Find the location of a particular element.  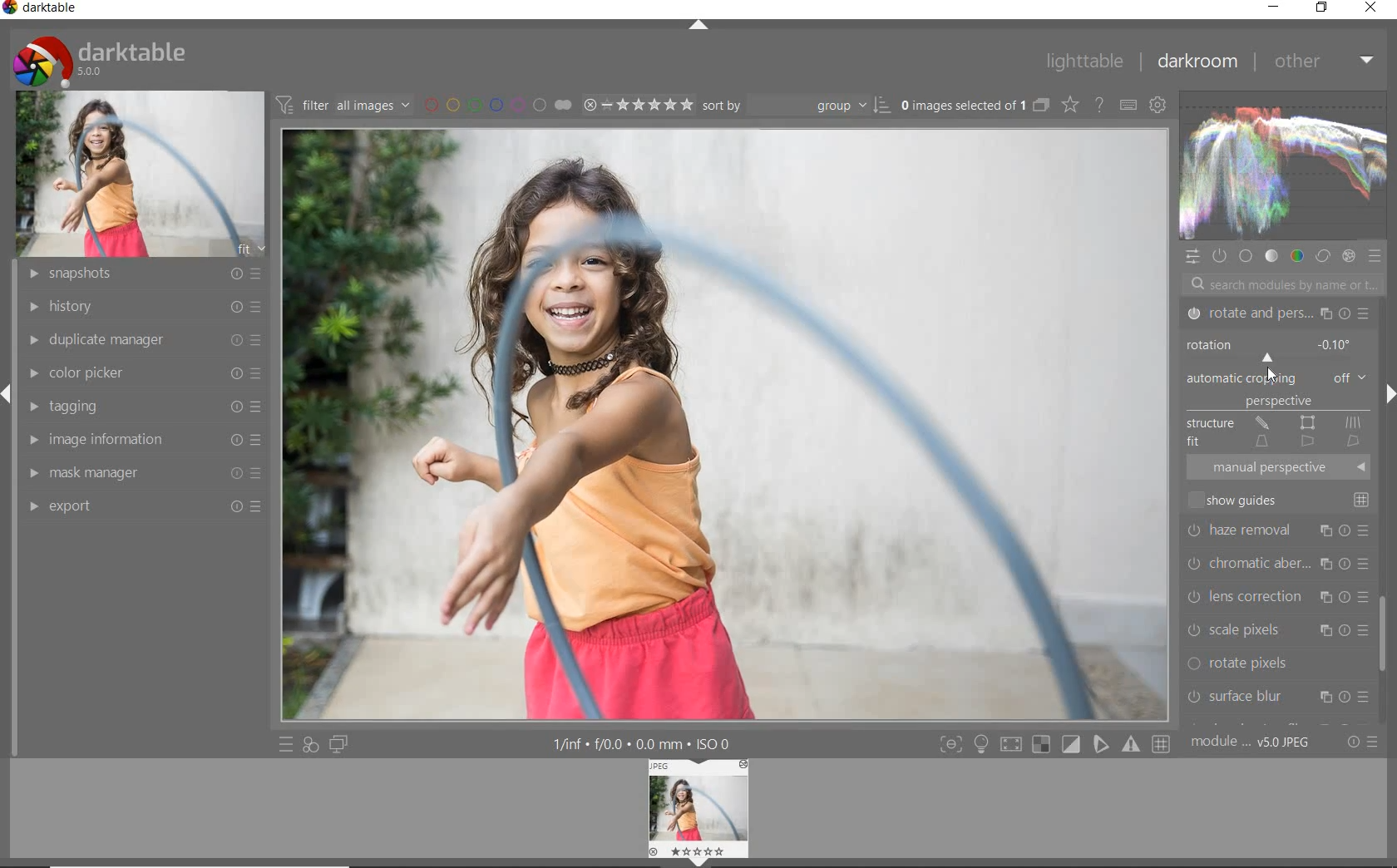

lighttable is located at coordinates (1084, 62).